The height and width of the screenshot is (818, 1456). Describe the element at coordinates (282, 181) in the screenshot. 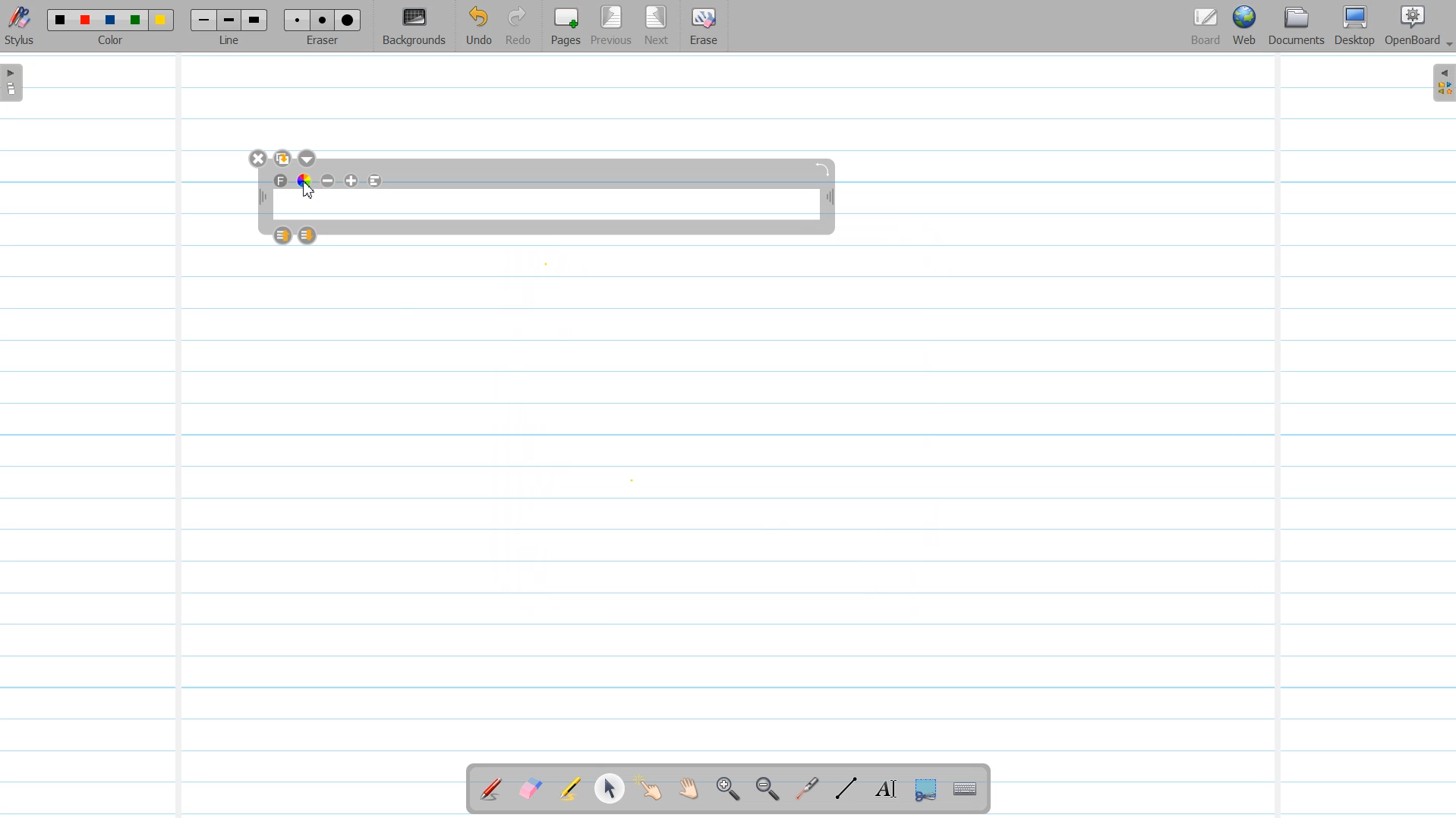

I see `Text Font ` at that location.